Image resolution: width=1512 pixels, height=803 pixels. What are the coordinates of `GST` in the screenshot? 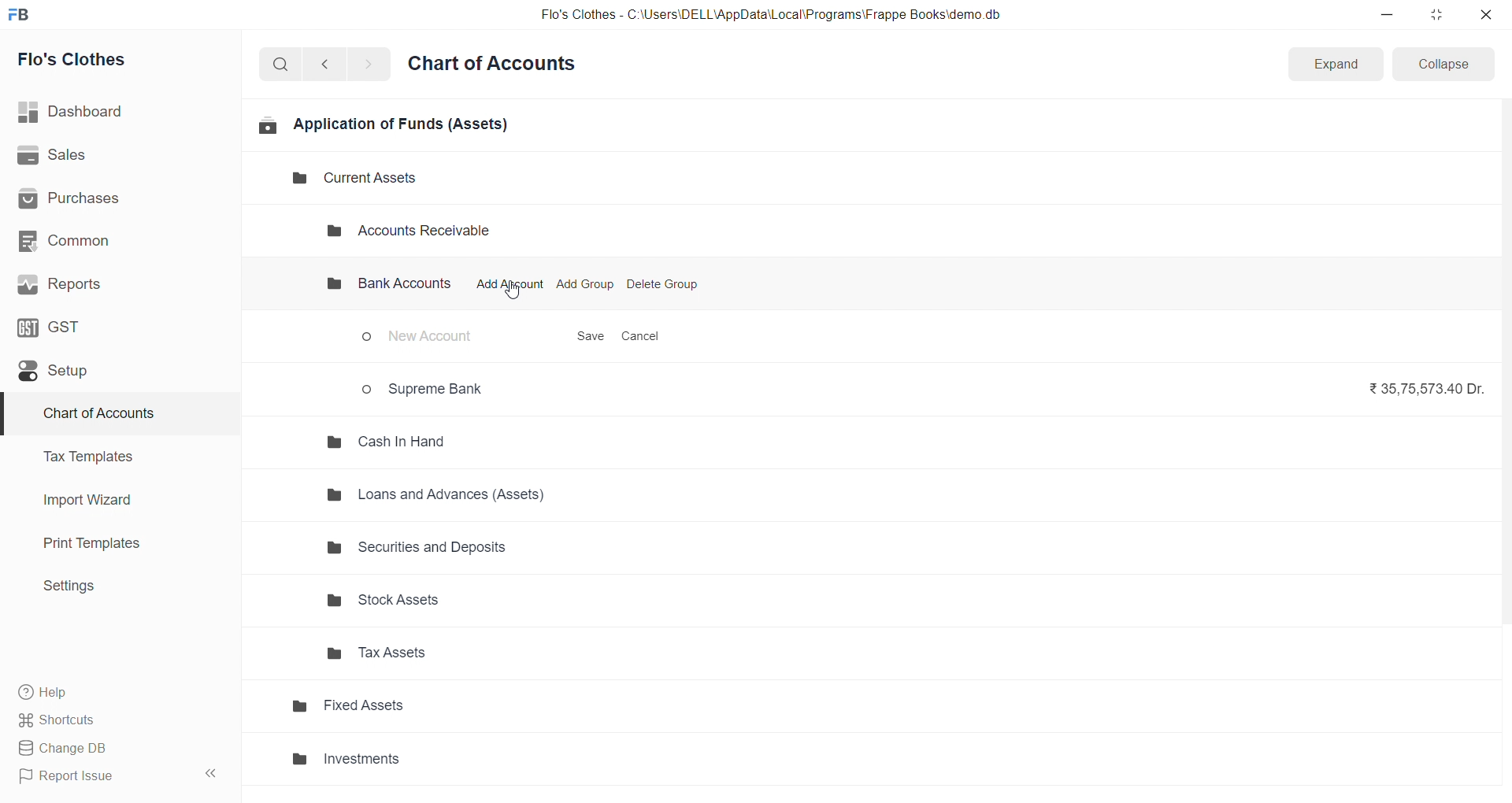 It's located at (109, 326).